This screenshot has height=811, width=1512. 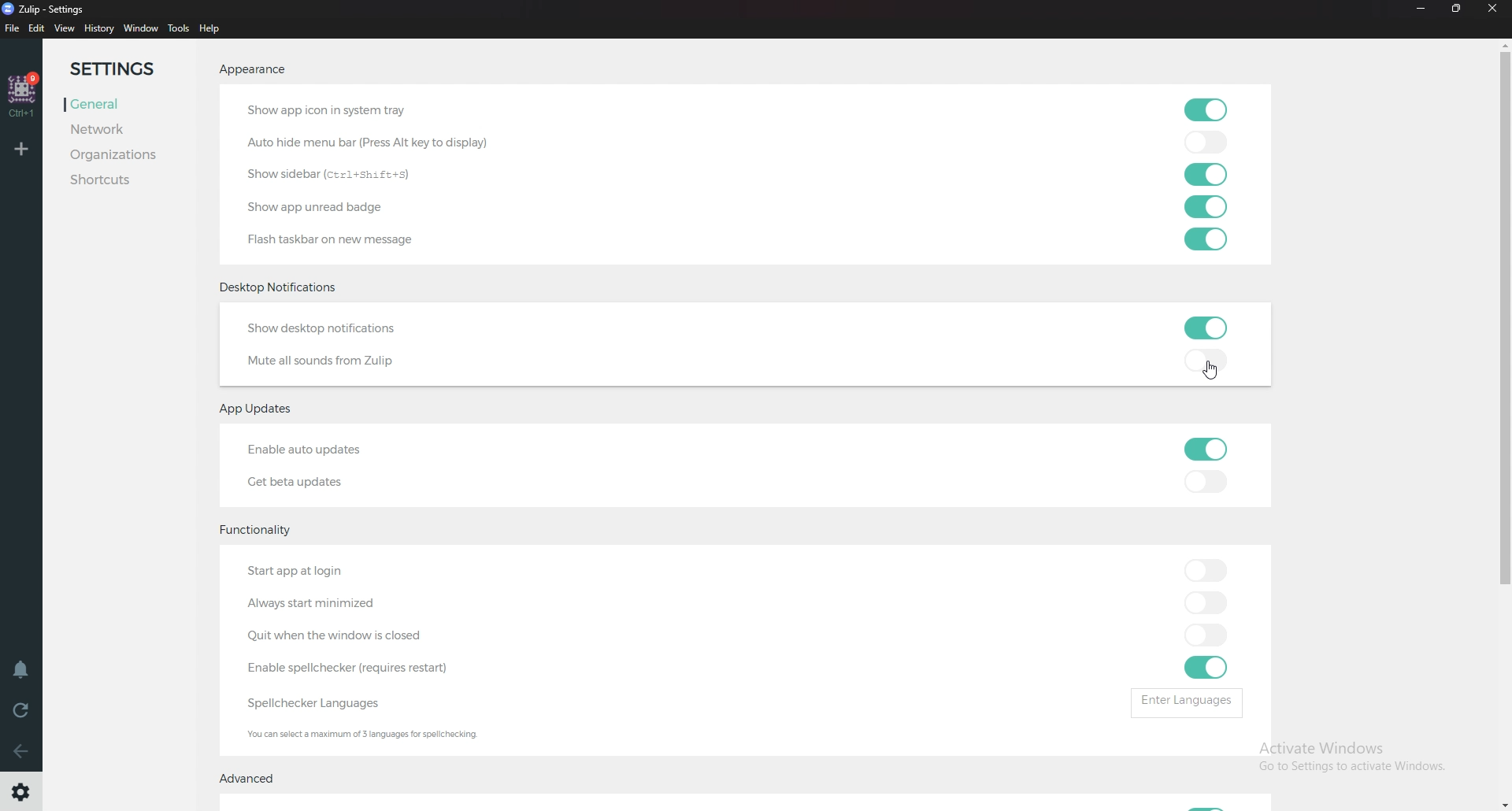 What do you see at coordinates (140, 29) in the screenshot?
I see `Window` at bounding box center [140, 29].